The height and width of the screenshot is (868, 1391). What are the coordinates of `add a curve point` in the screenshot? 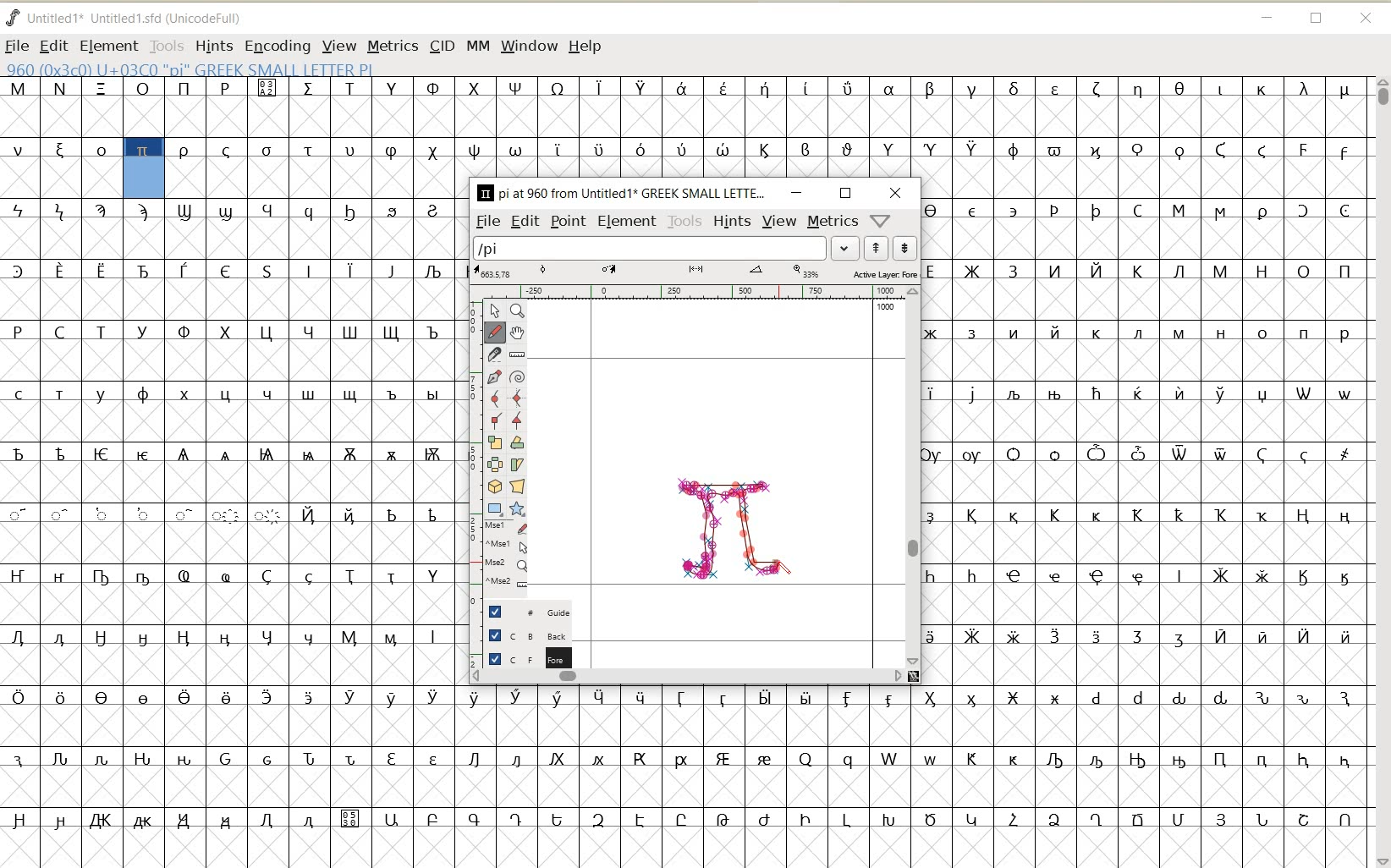 It's located at (494, 397).